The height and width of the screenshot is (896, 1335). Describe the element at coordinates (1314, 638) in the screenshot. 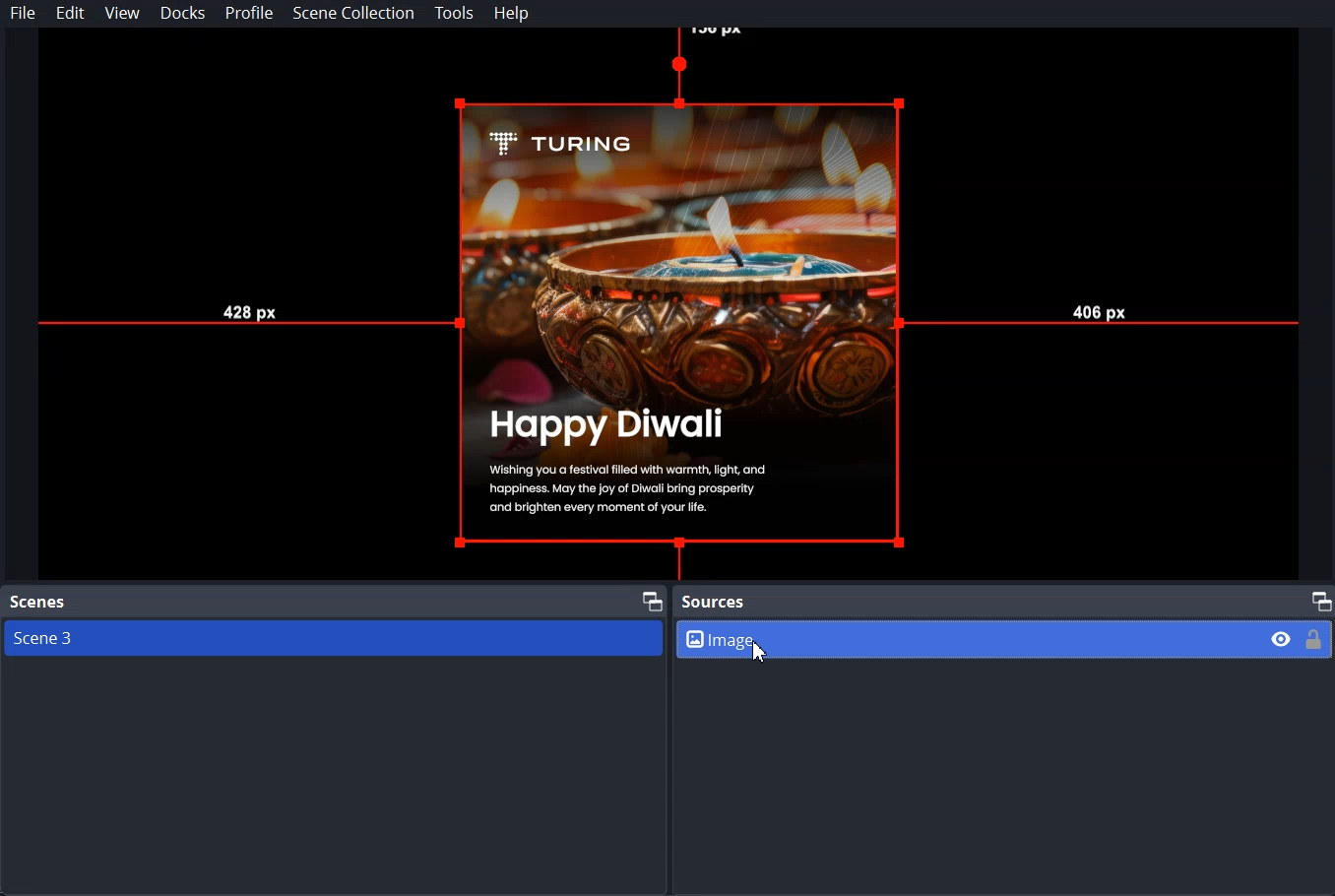

I see `Lock` at that location.